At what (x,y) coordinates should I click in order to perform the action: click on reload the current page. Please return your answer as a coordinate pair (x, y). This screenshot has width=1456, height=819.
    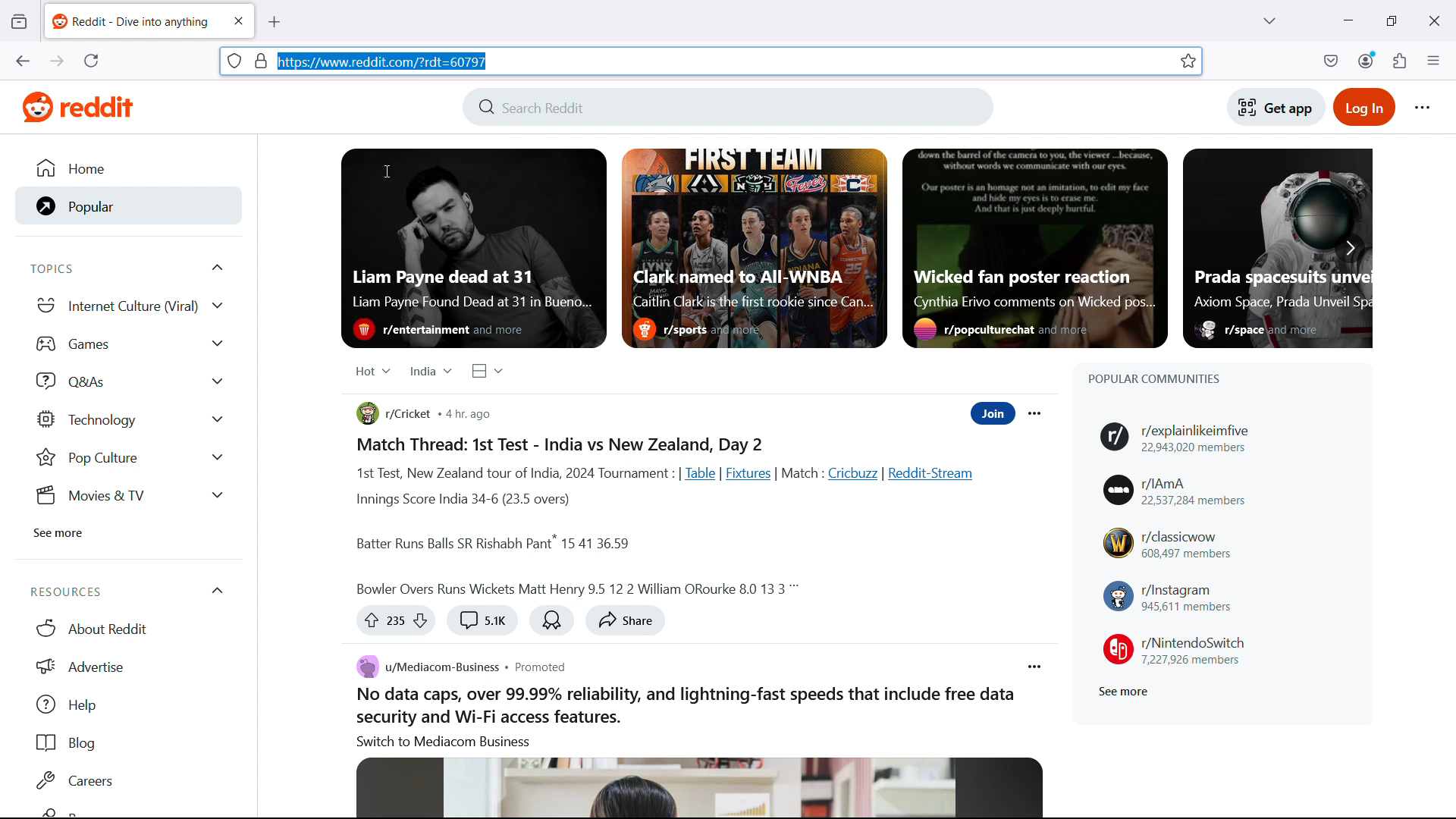
    Looking at the image, I should click on (93, 61).